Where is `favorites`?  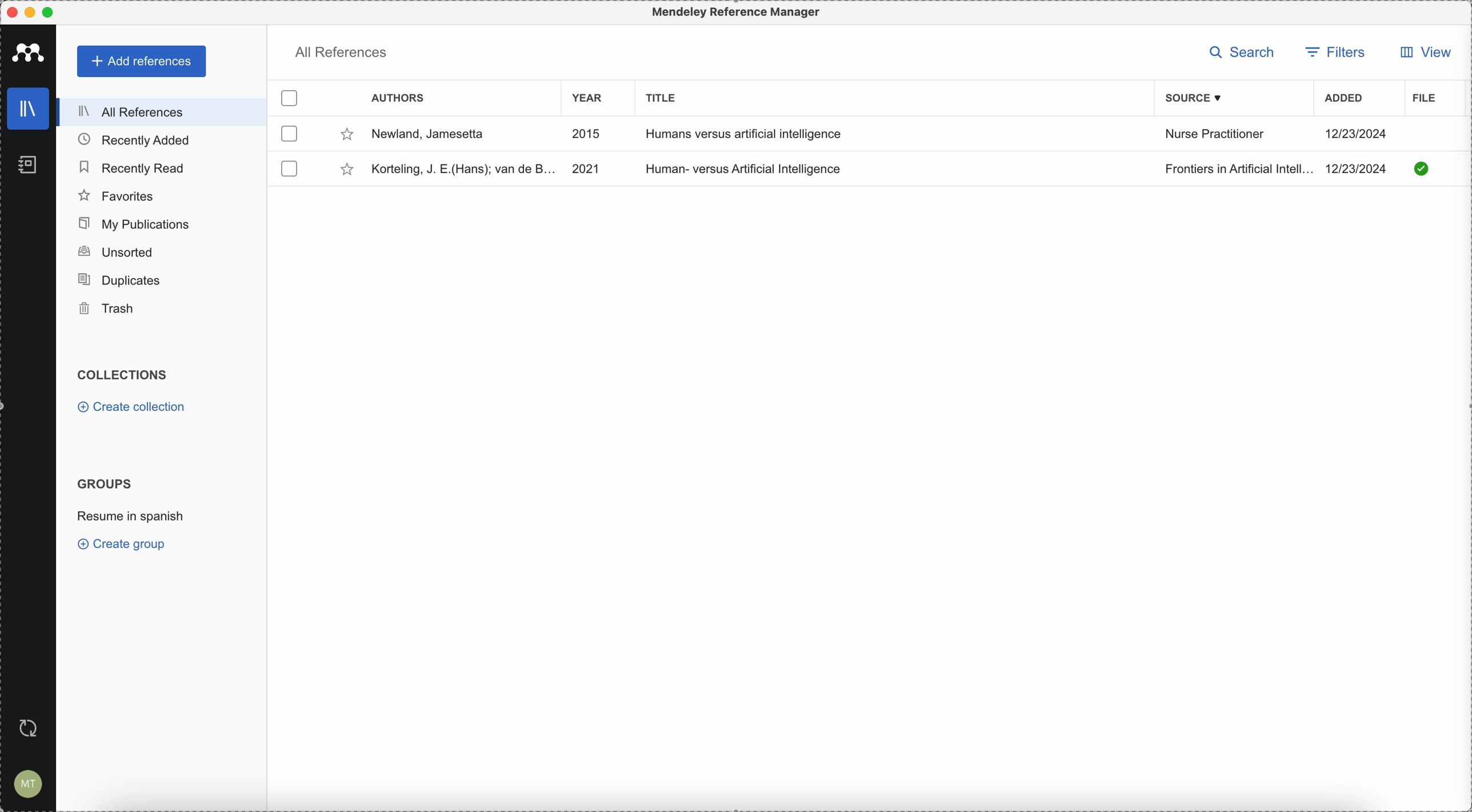 favorites is located at coordinates (118, 194).